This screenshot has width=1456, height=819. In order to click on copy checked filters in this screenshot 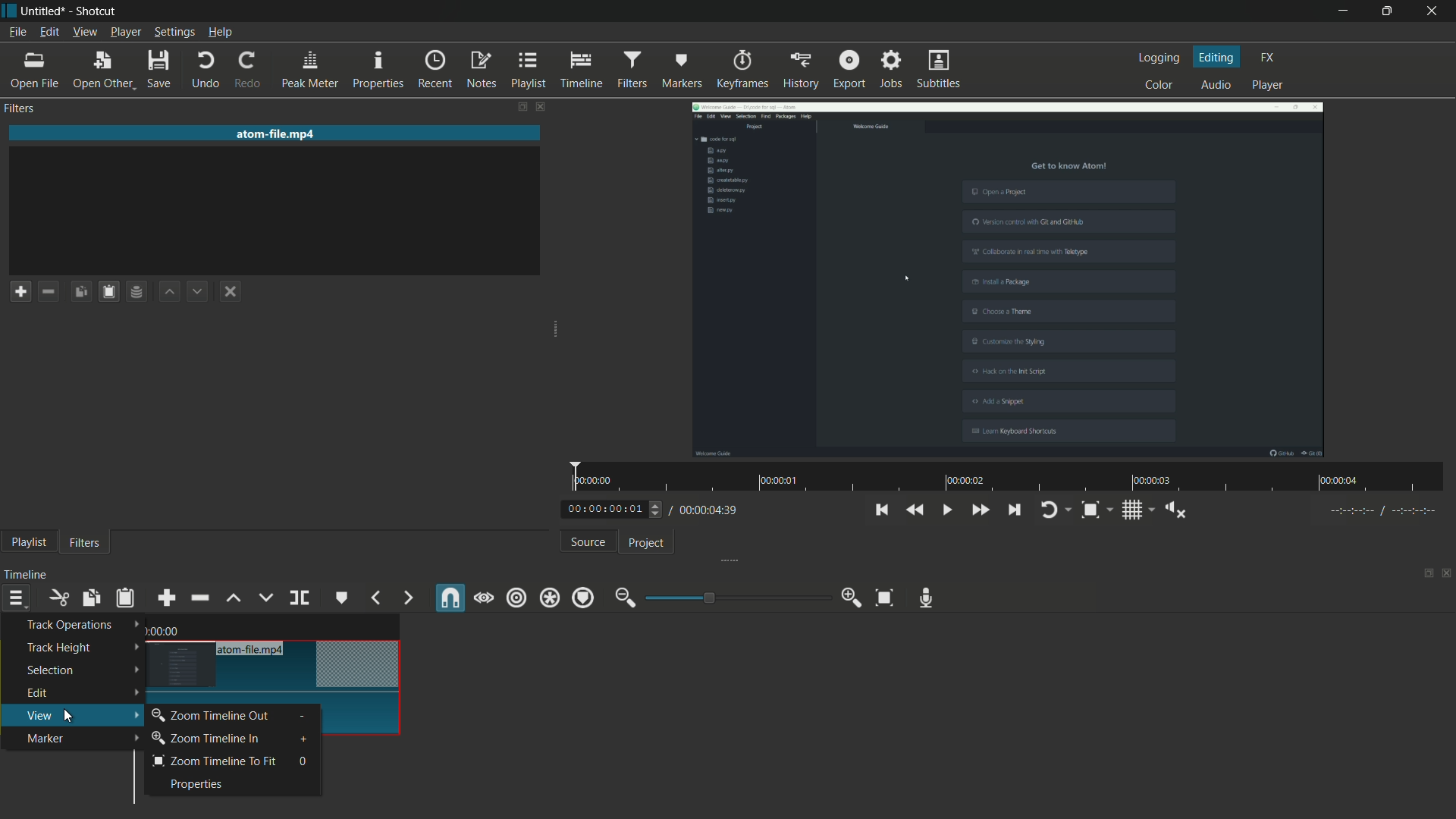, I will do `click(81, 292)`.